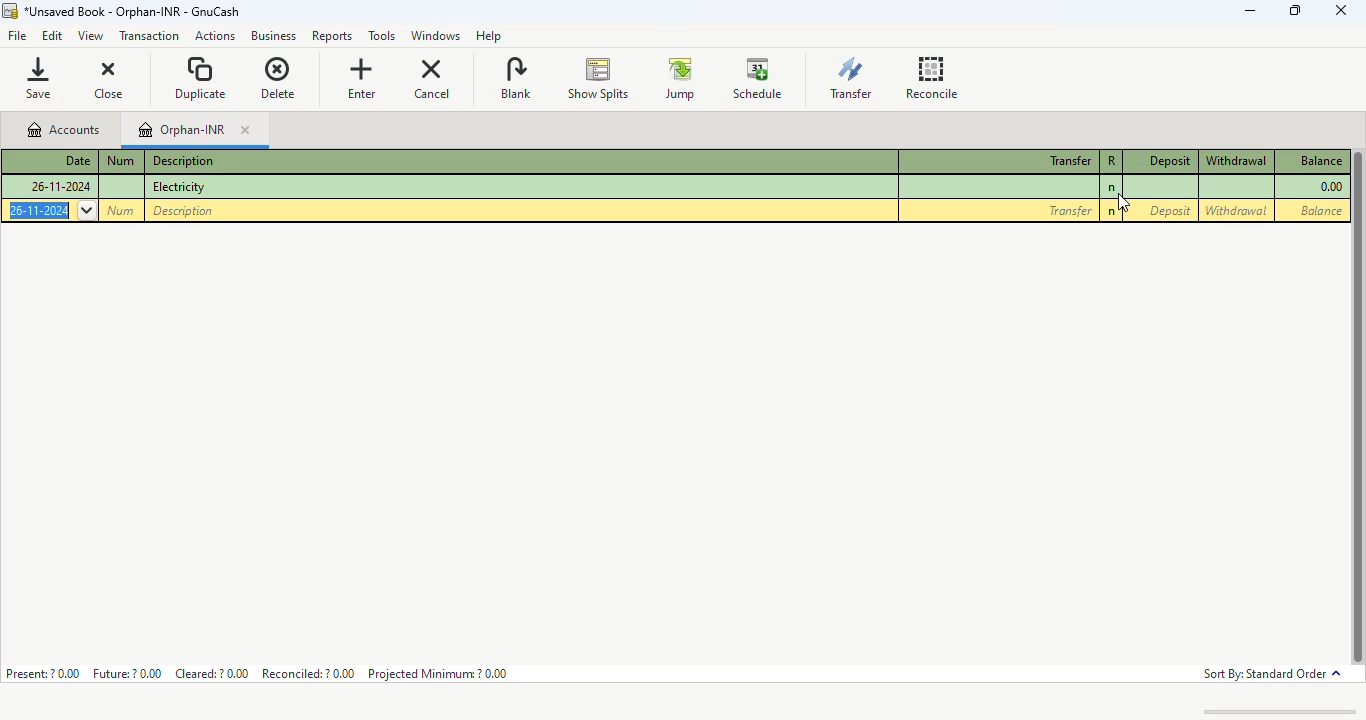  What do you see at coordinates (758, 78) in the screenshot?
I see `schedule` at bounding box center [758, 78].